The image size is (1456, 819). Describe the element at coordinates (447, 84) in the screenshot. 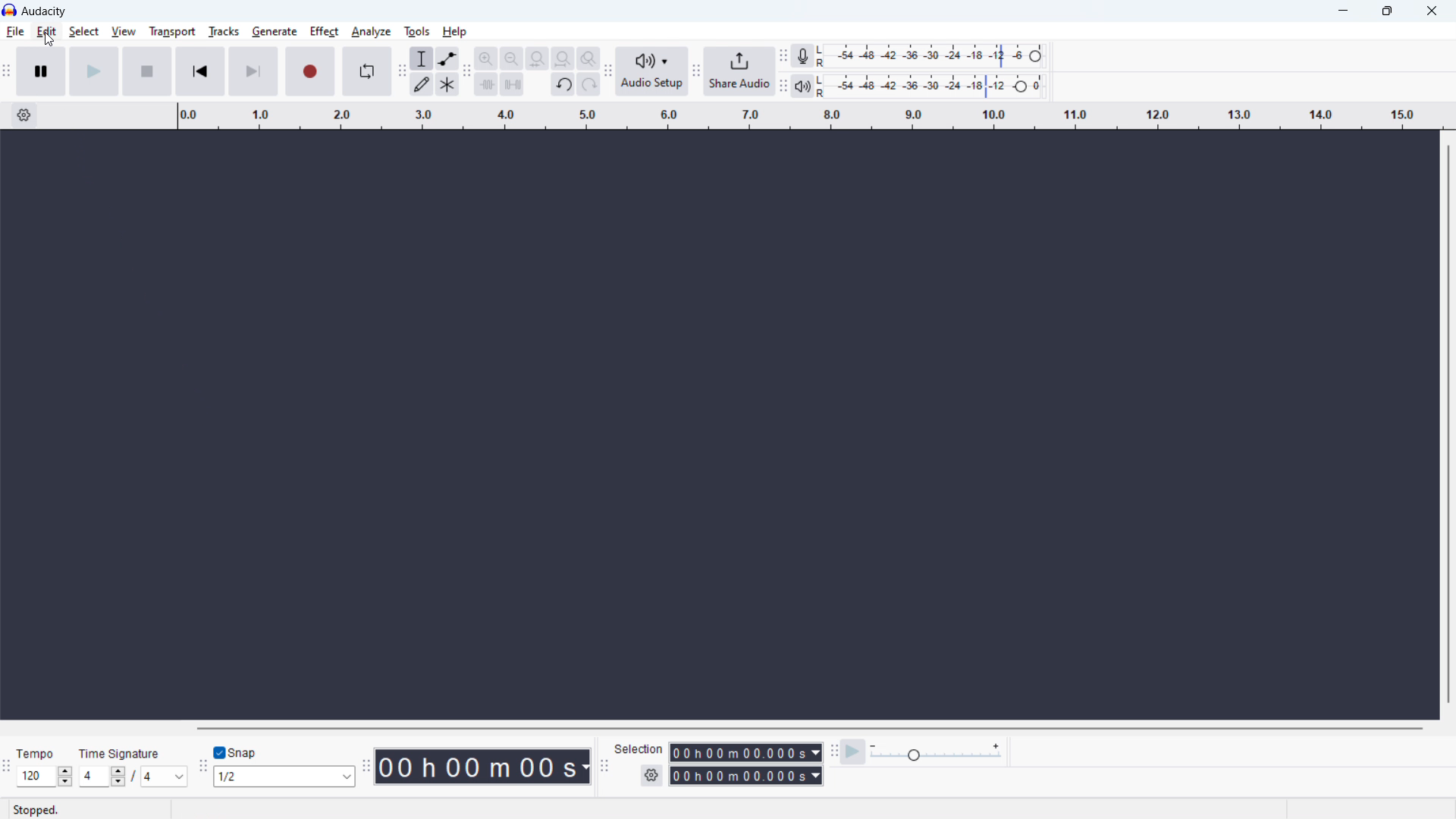

I see `multi tool` at that location.